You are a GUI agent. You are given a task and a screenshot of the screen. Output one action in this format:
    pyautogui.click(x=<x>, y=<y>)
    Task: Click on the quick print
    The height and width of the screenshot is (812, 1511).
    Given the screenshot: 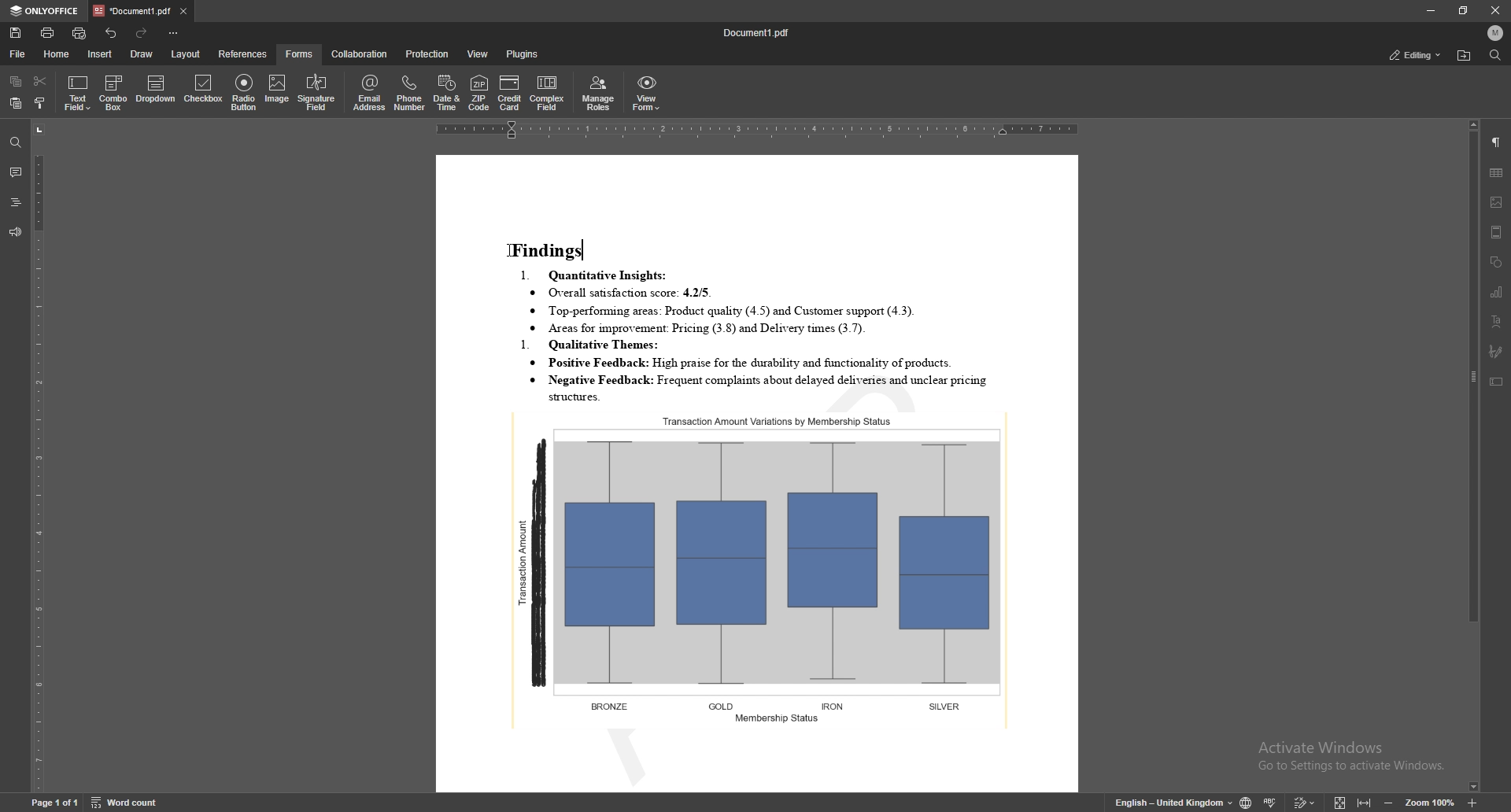 What is the action you would take?
    pyautogui.click(x=79, y=34)
    